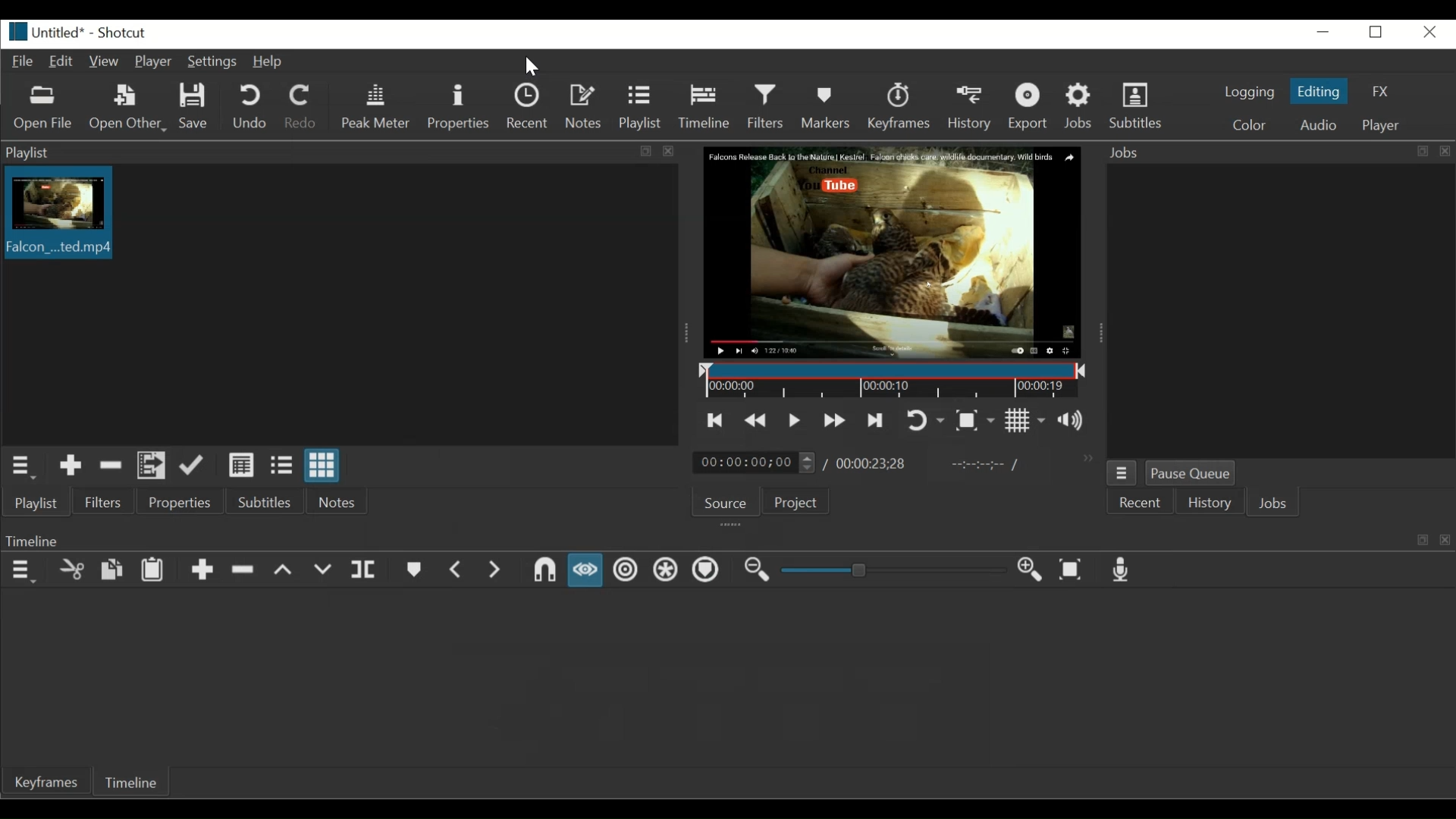 This screenshot has height=819, width=1456. I want to click on Untitled* - Shortcut(File details), so click(80, 31).